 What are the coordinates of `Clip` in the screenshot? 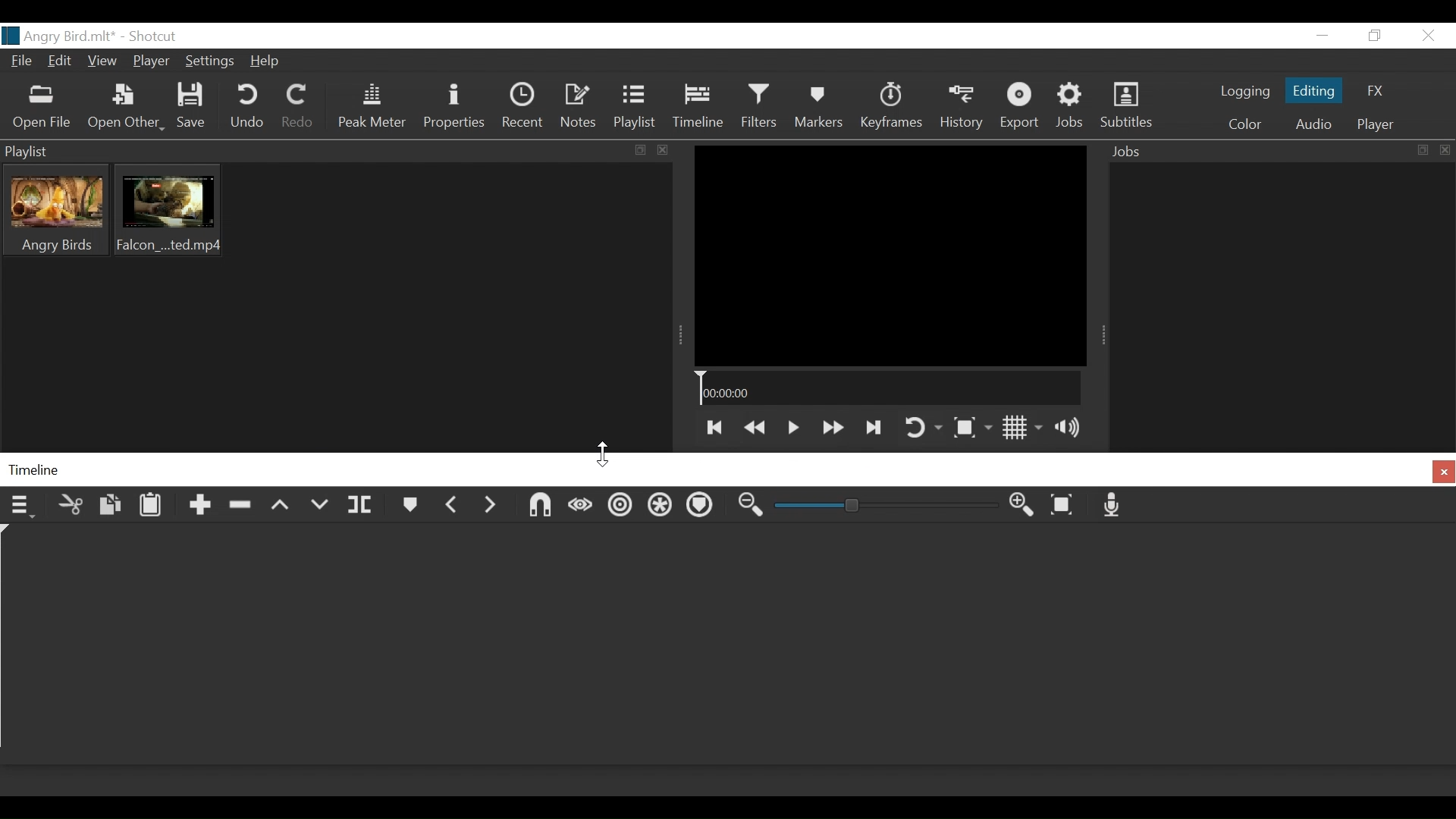 It's located at (56, 210).